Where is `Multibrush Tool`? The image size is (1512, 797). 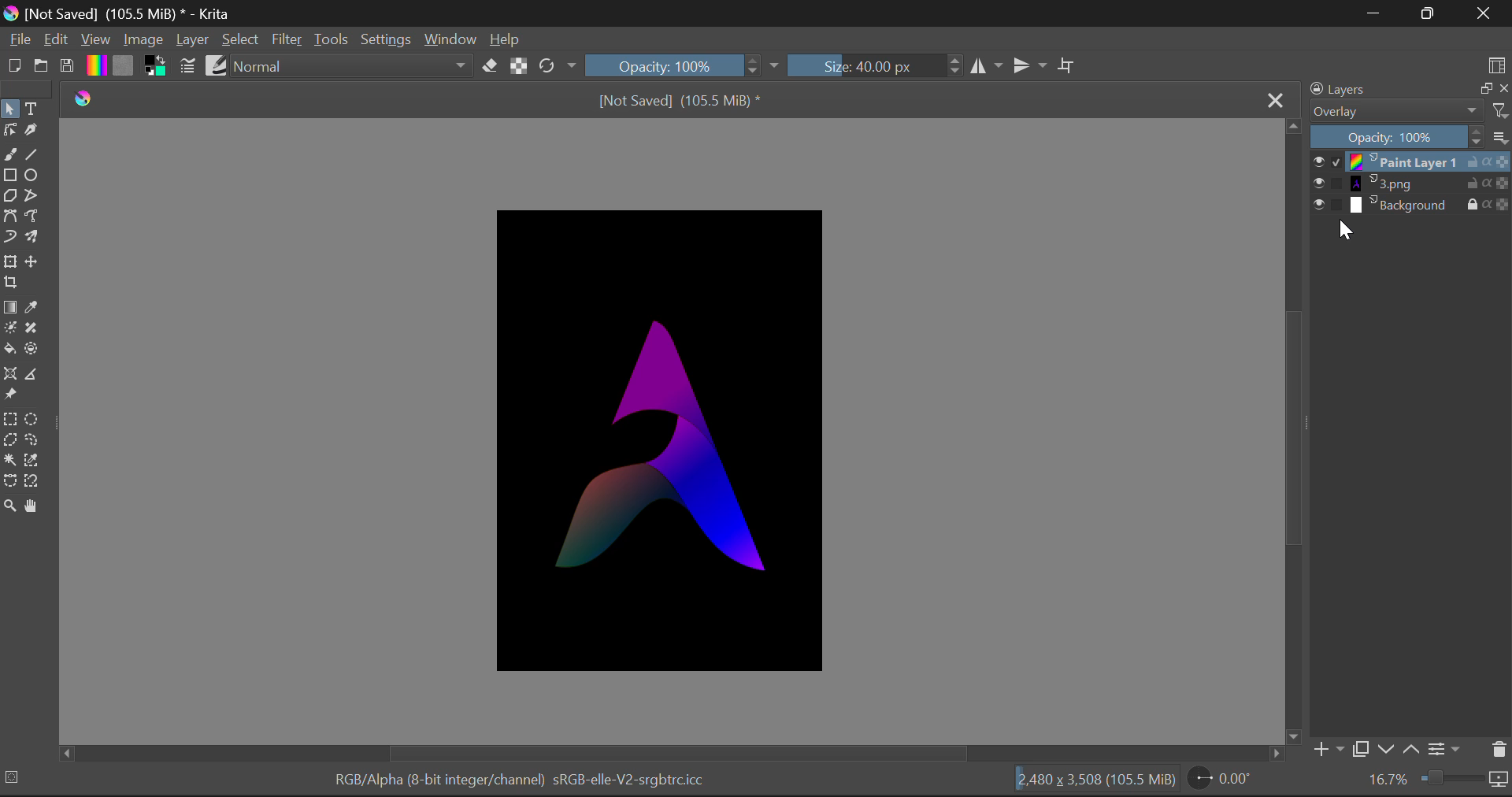 Multibrush Tool is located at coordinates (33, 235).